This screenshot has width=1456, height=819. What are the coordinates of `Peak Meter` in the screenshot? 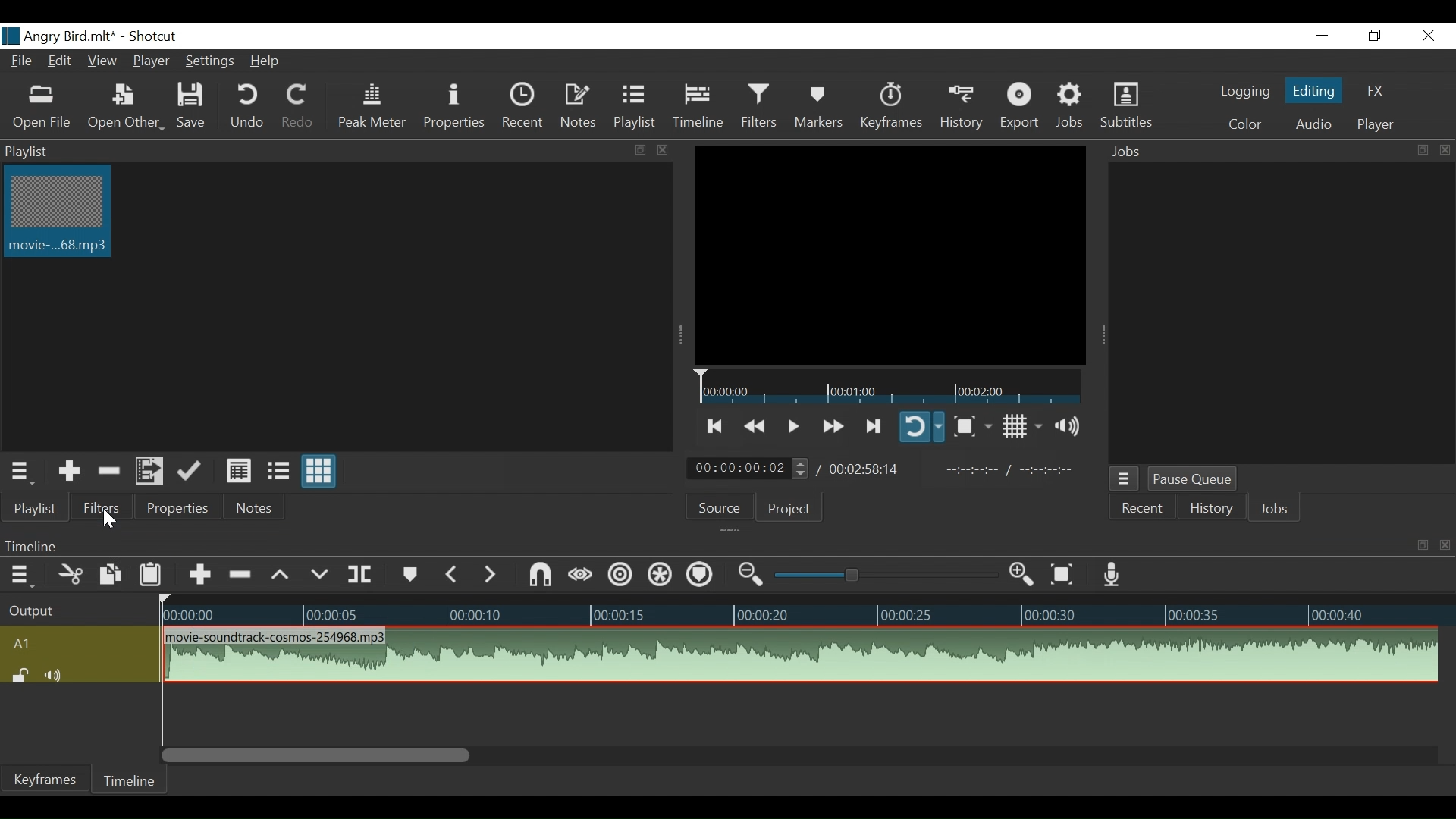 It's located at (372, 106).